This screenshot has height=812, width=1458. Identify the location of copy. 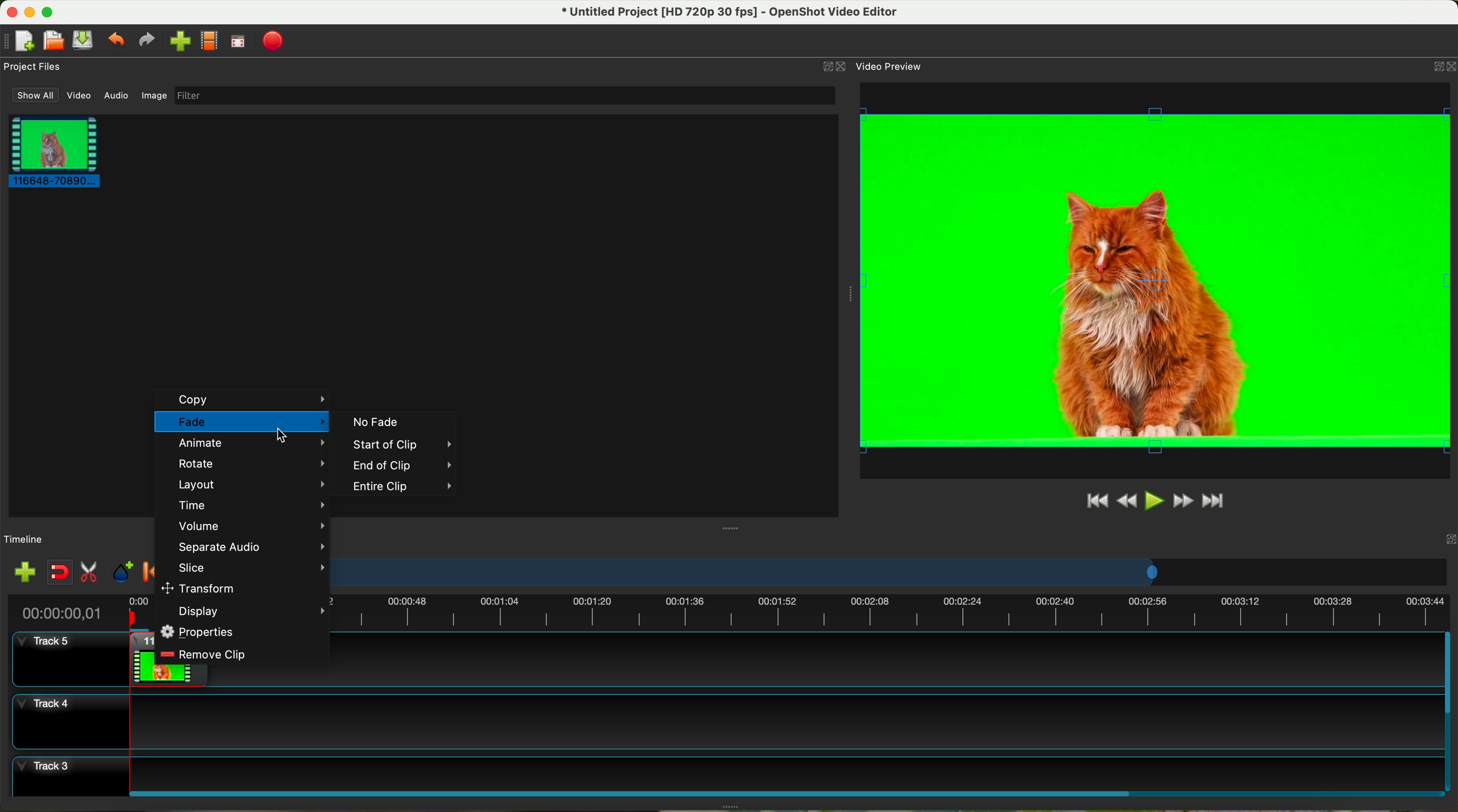
(244, 399).